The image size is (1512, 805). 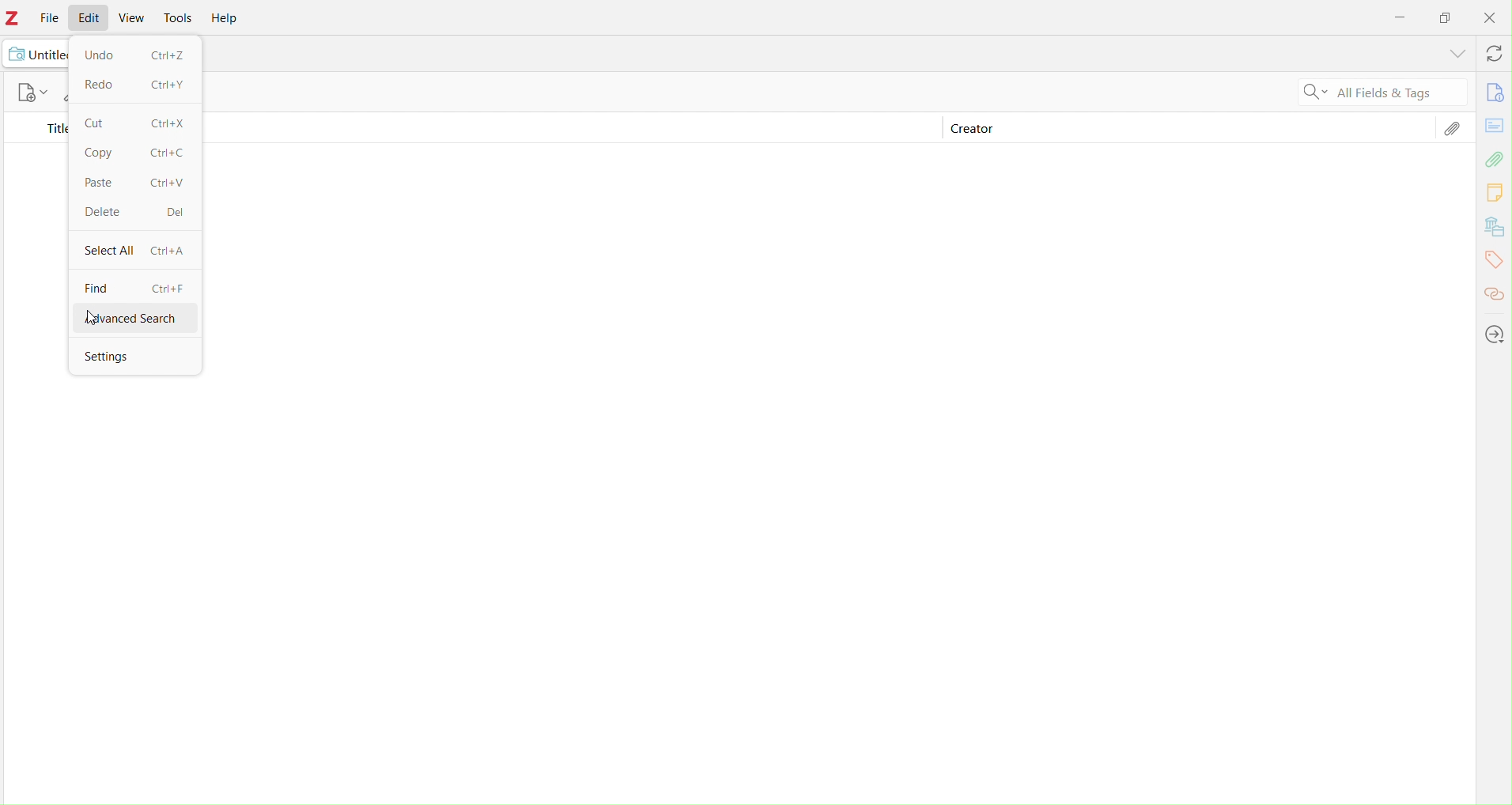 What do you see at coordinates (137, 321) in the screenshot?
I see `advancesearch` at bounding box center [137, 321].